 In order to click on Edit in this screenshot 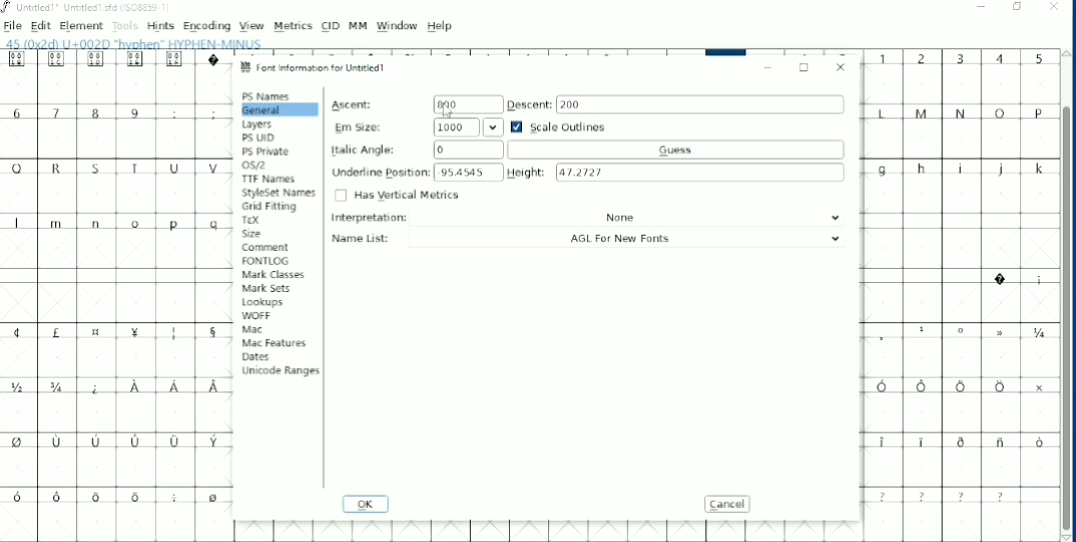, I will do `click(41, 26)`.